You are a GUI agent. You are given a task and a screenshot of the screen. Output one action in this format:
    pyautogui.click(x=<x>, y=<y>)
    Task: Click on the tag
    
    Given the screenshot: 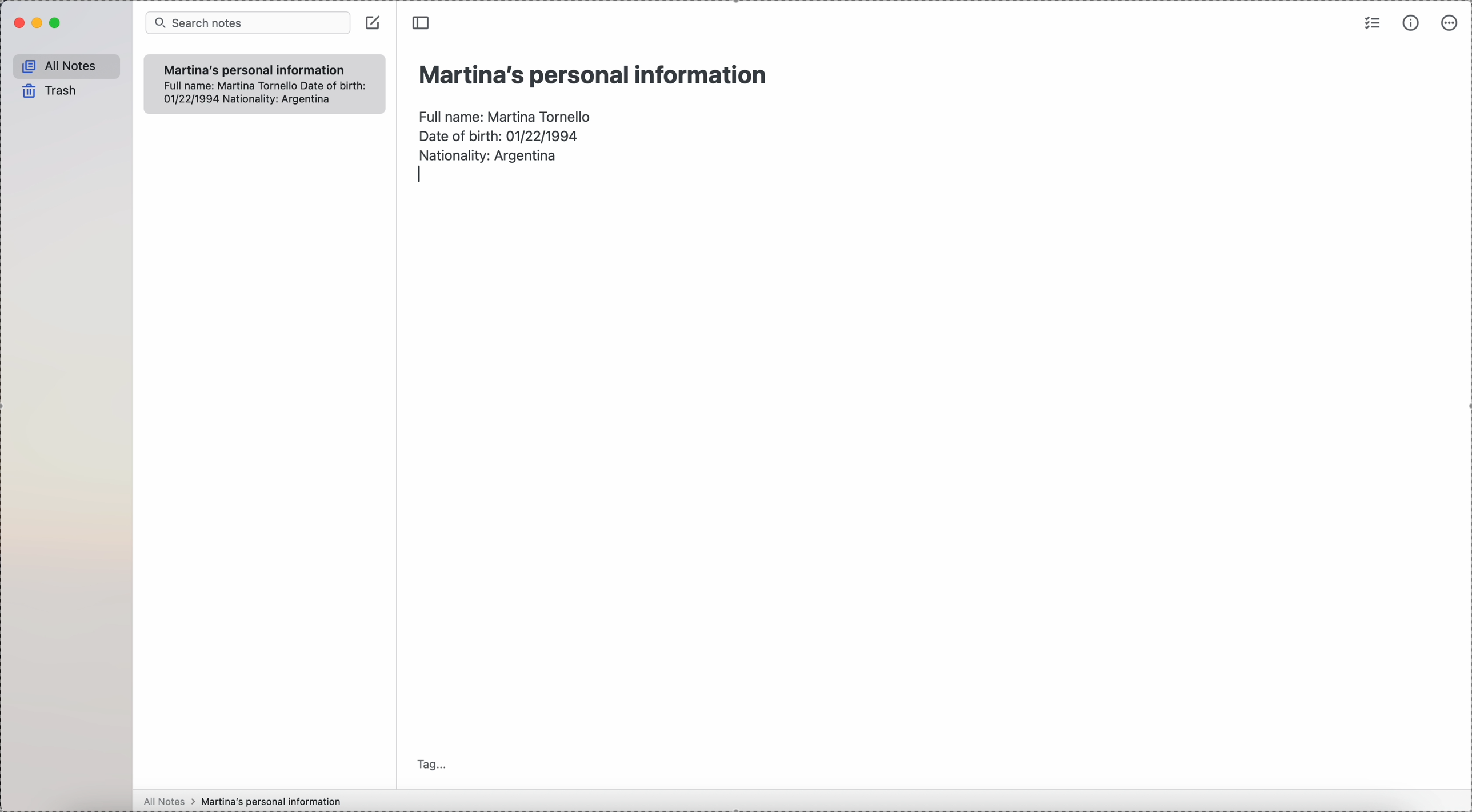 What is the action you would take?
    pyautogui.click(x=431, y=764)
    